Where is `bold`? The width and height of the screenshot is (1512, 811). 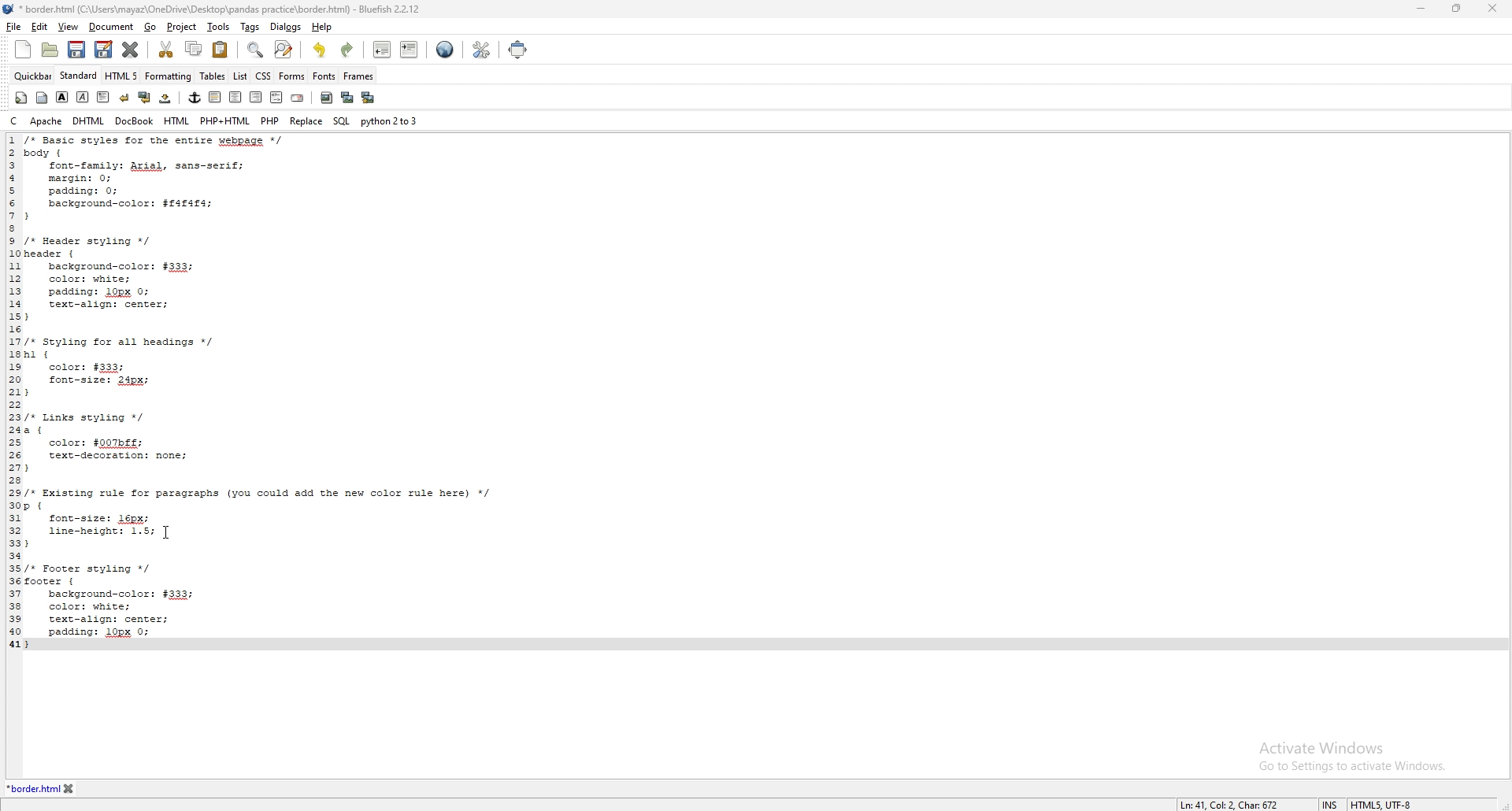 bold is located at coordinates (63, 97).